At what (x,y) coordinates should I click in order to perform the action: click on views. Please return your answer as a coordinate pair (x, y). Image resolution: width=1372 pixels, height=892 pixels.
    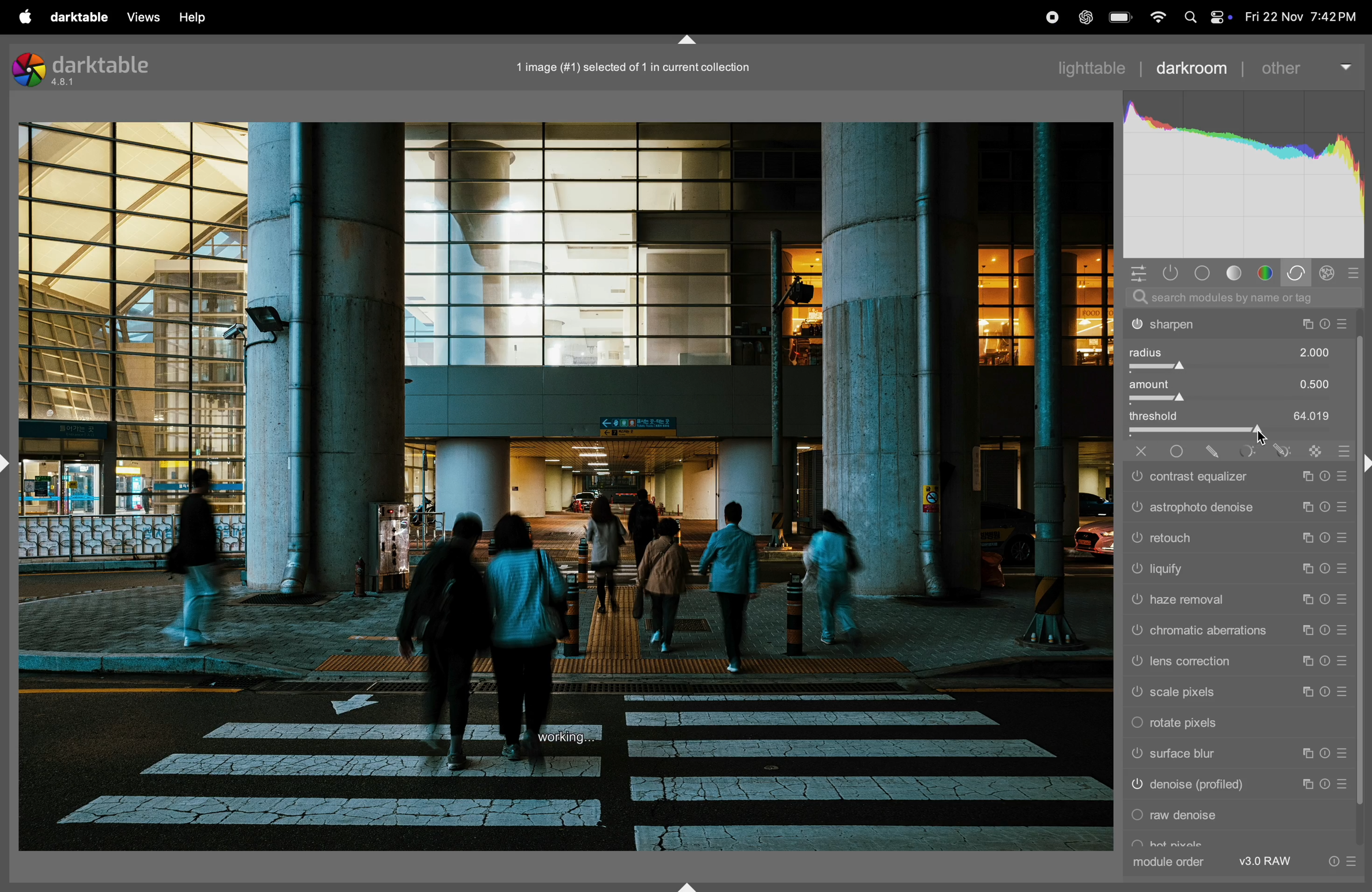
    Looking at the image, I should click on (144, 17).